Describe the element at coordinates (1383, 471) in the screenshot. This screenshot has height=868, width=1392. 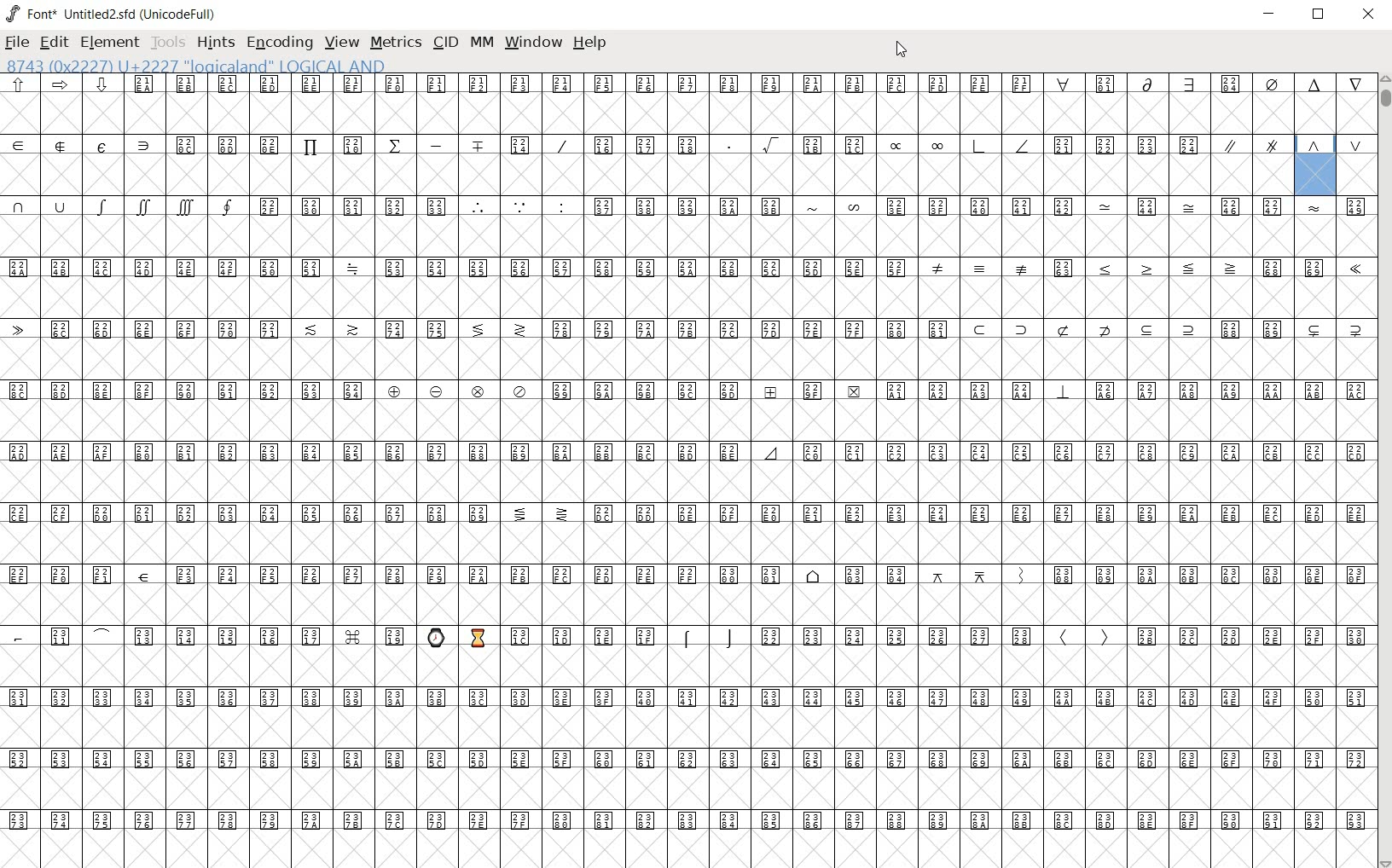
I see `scrollbar` at that location.